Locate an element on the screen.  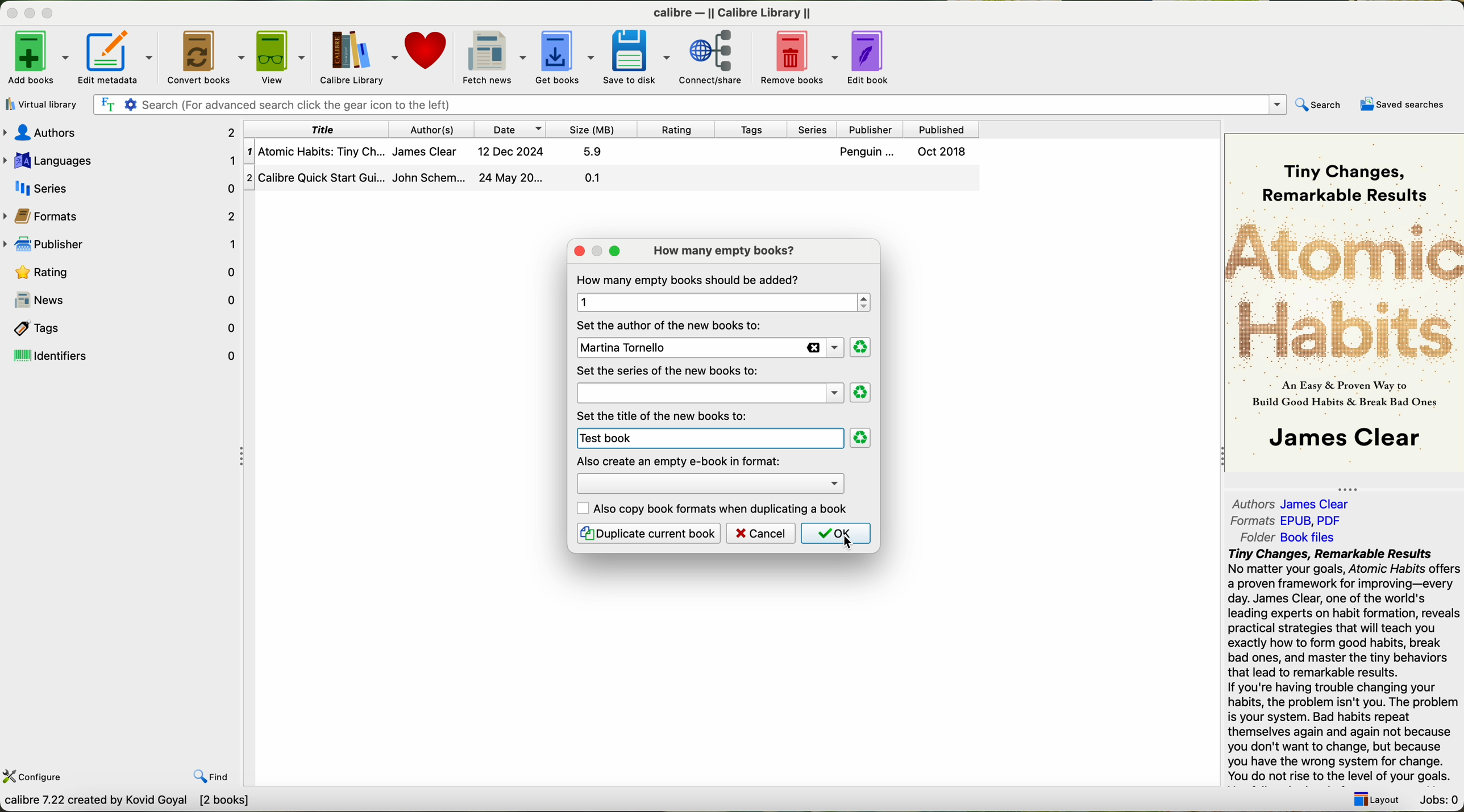
edit metadata is located at coordinates (117, 57).